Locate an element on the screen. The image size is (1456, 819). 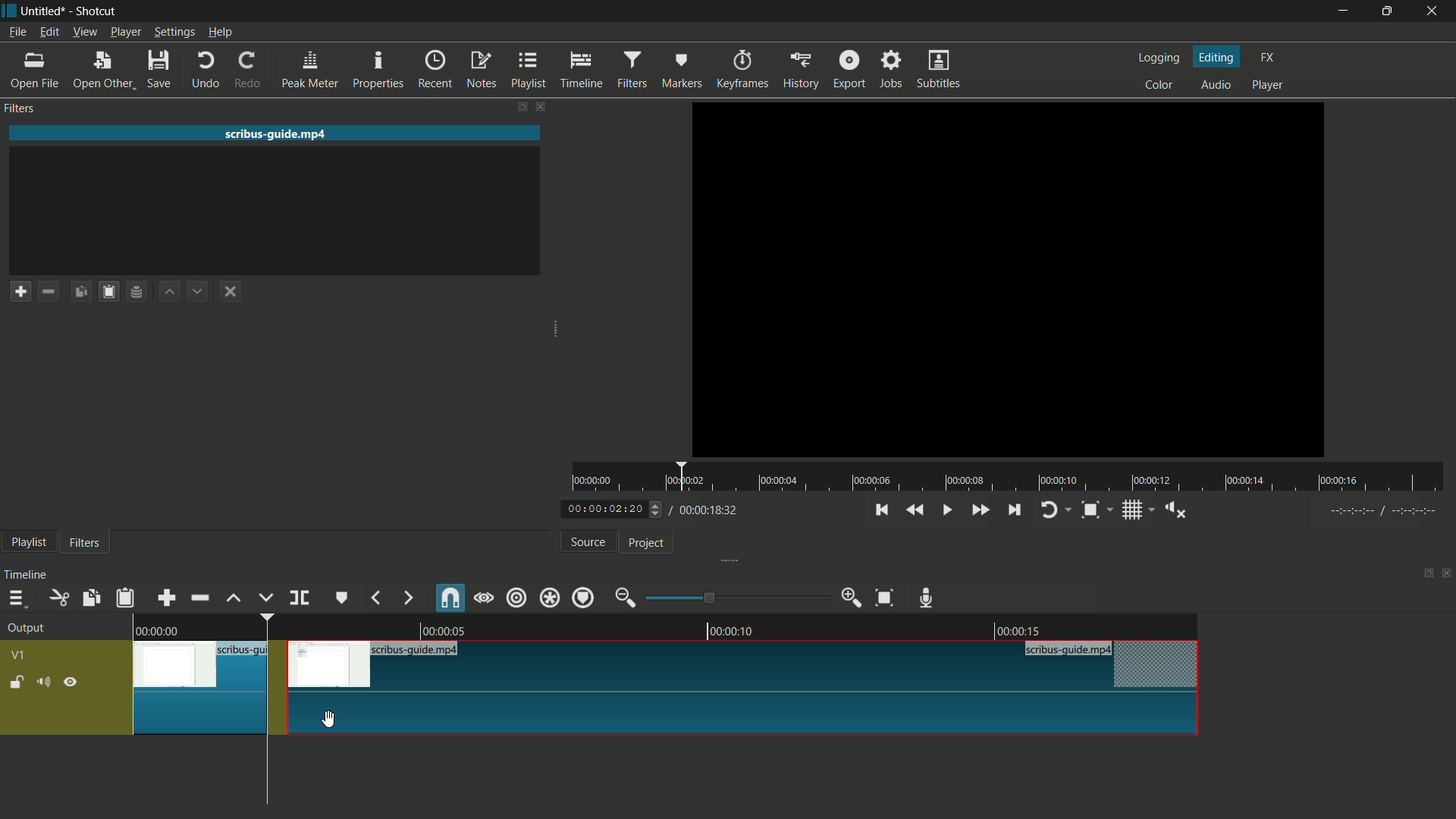
undo is located at coordinates (209, 69).